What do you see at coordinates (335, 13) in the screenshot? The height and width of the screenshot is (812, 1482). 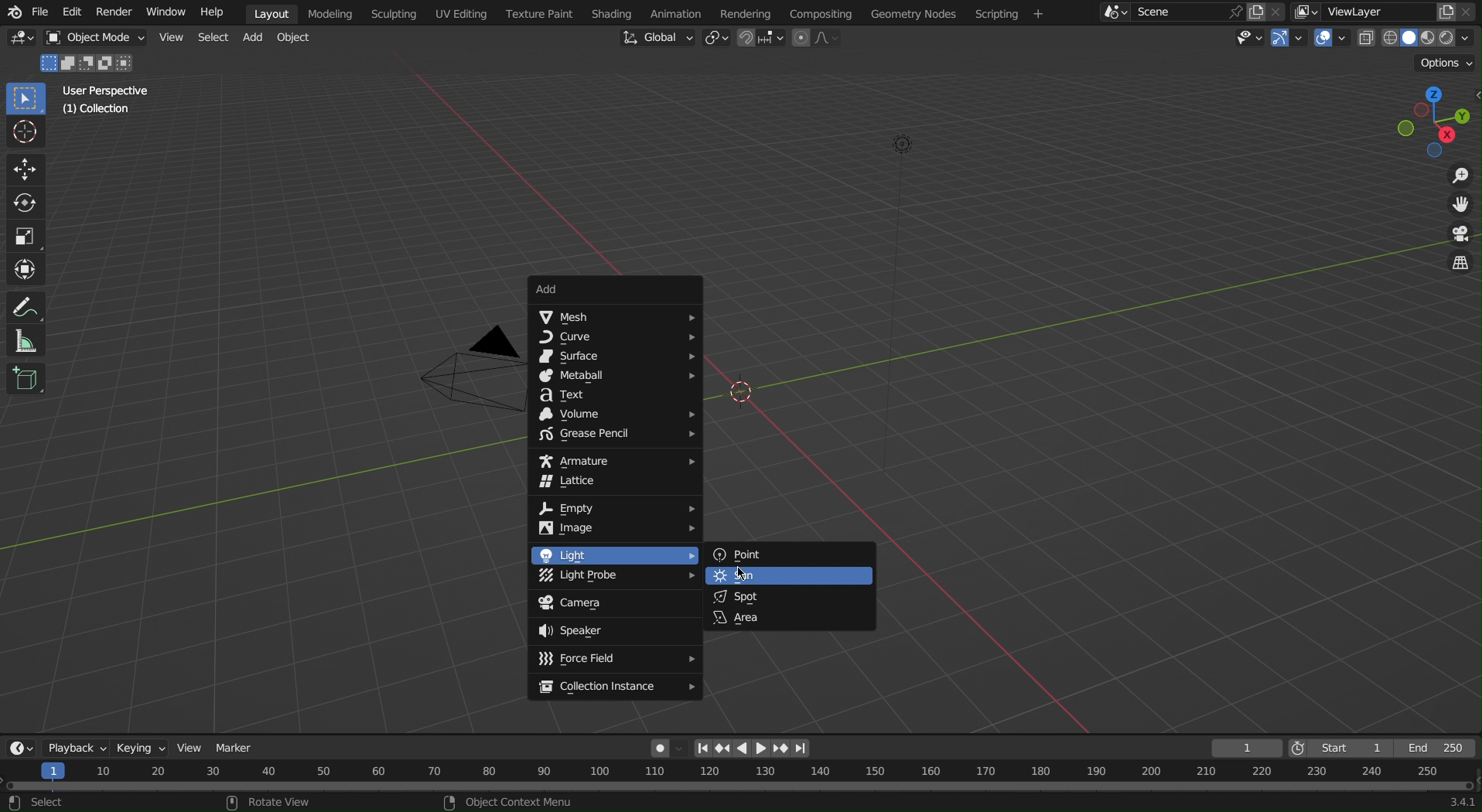 I see `Modeling` at bounding box center [335, 13].